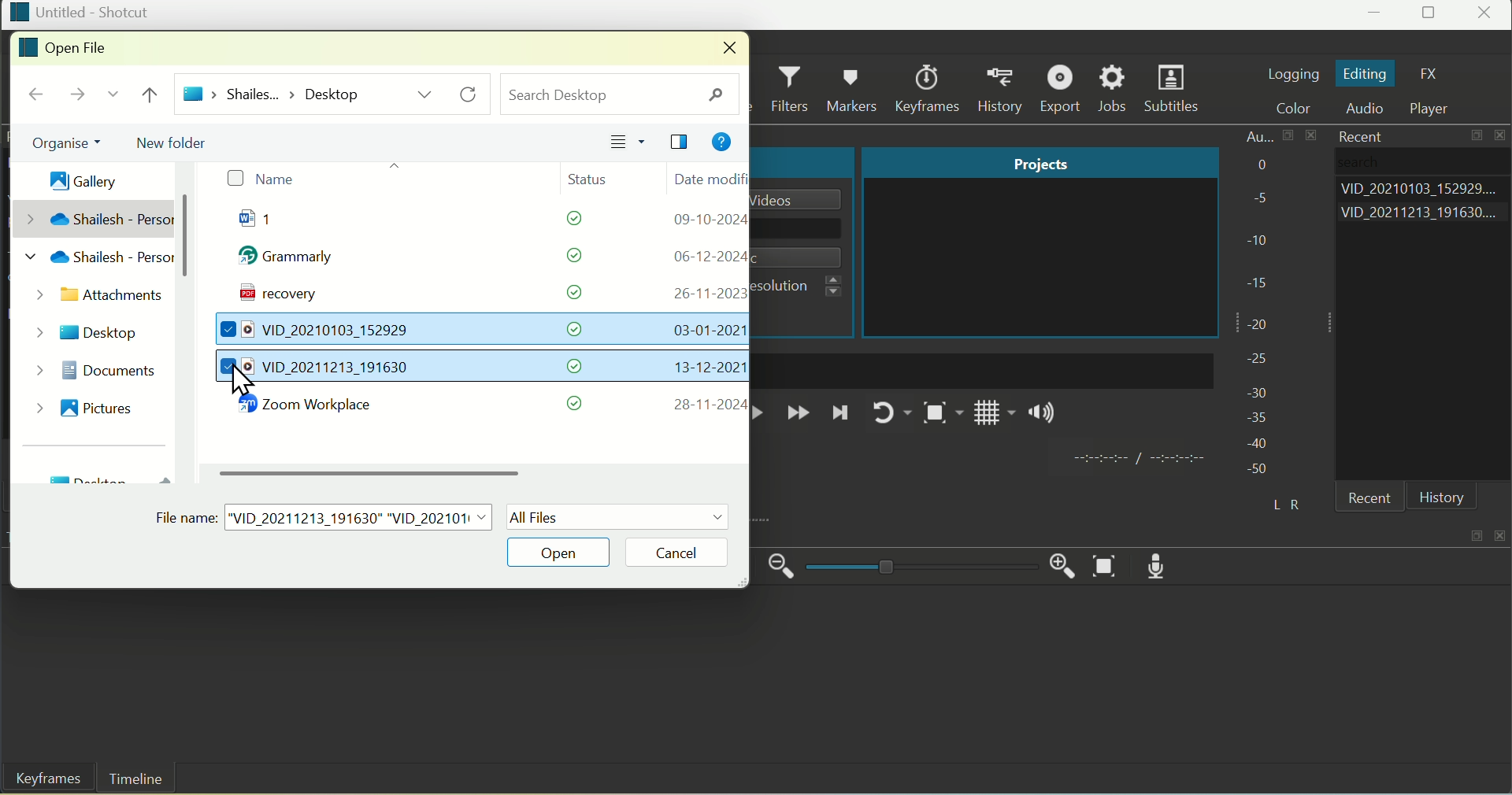  Describe the element at coordinates (1106, 567) in the screenshot. I see `Zoom Timeline` at that location.